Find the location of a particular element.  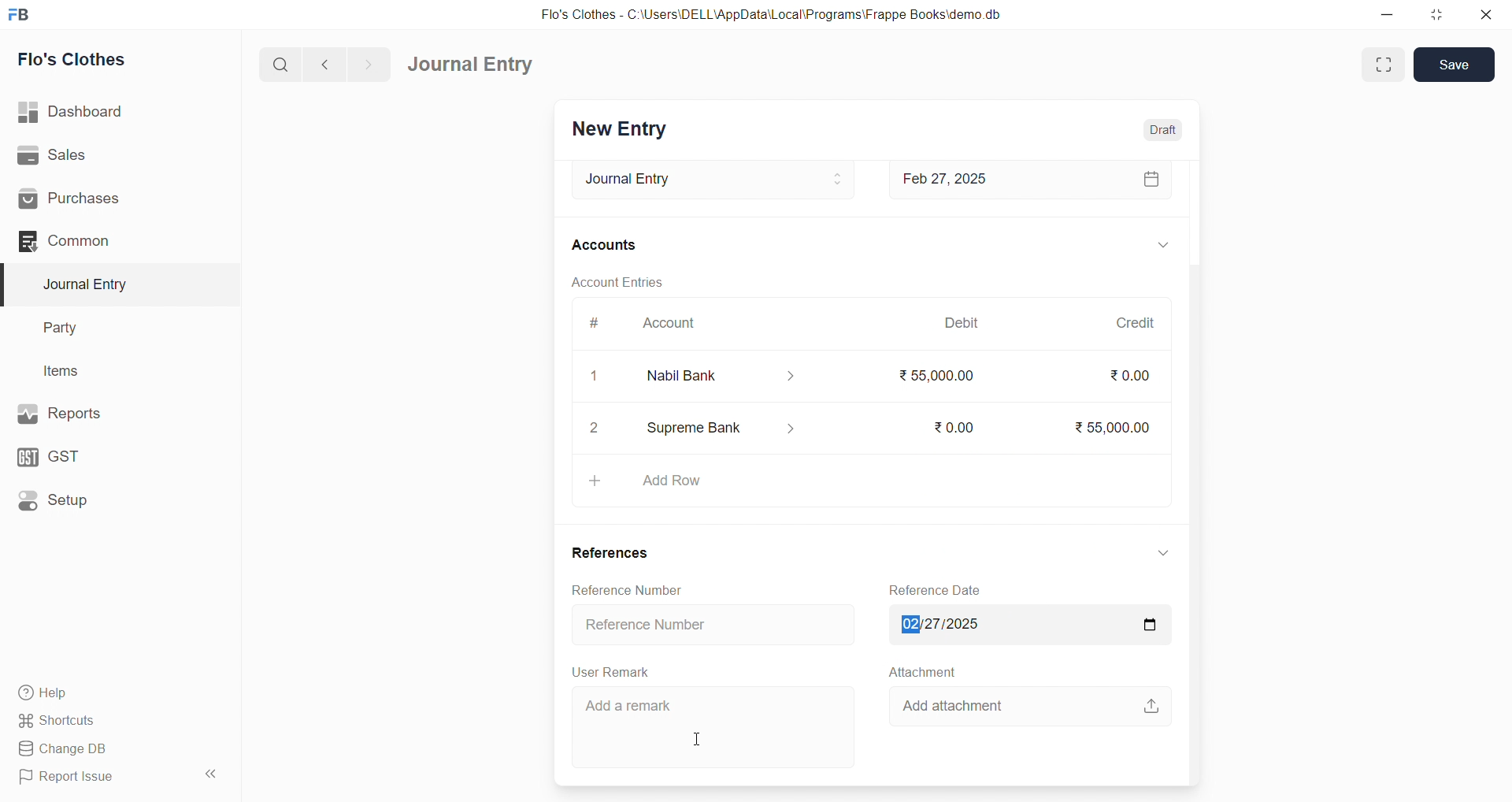

Setup is located at coordinates (91, 503).